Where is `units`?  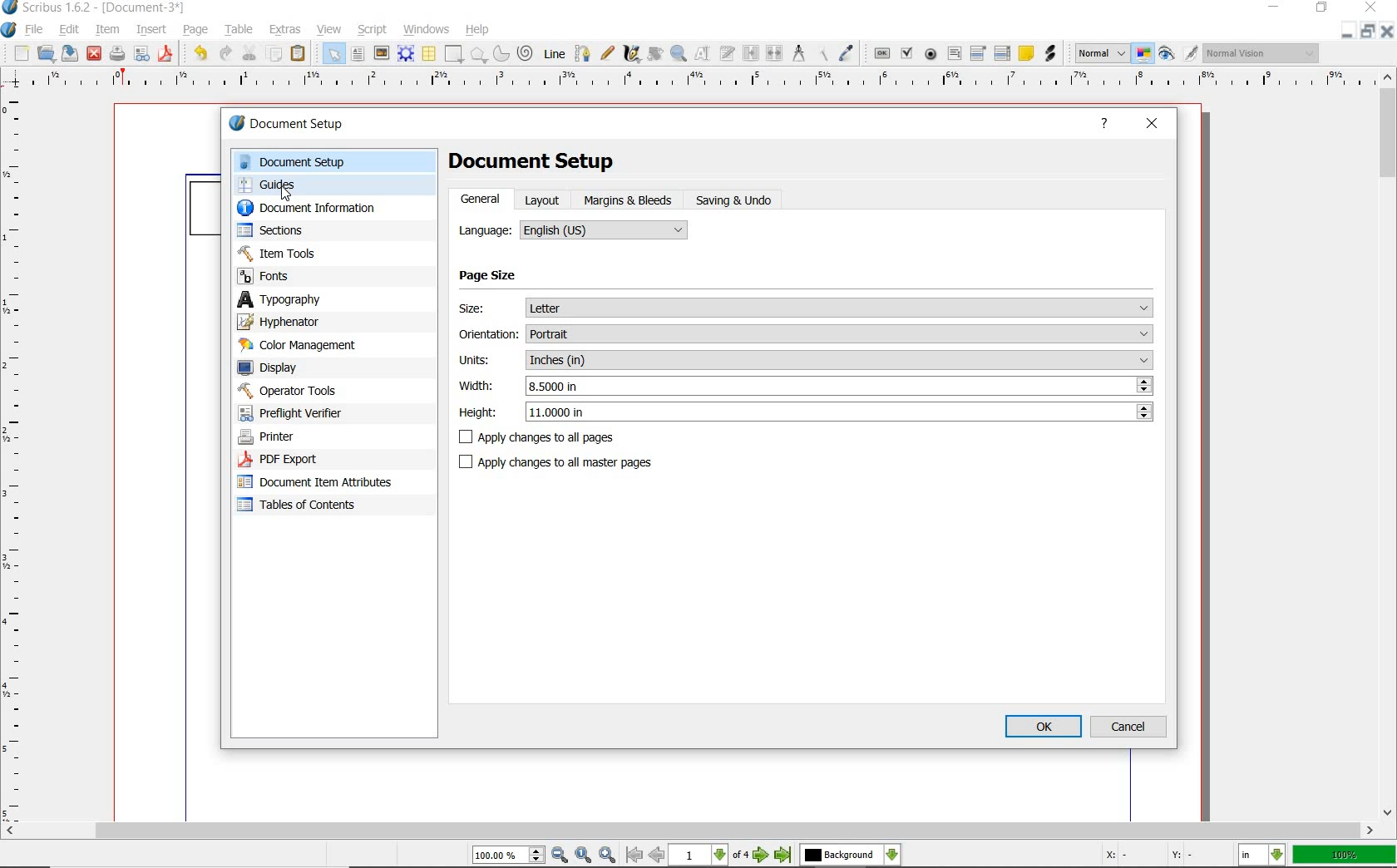
units is located at coordinates (842, 360).